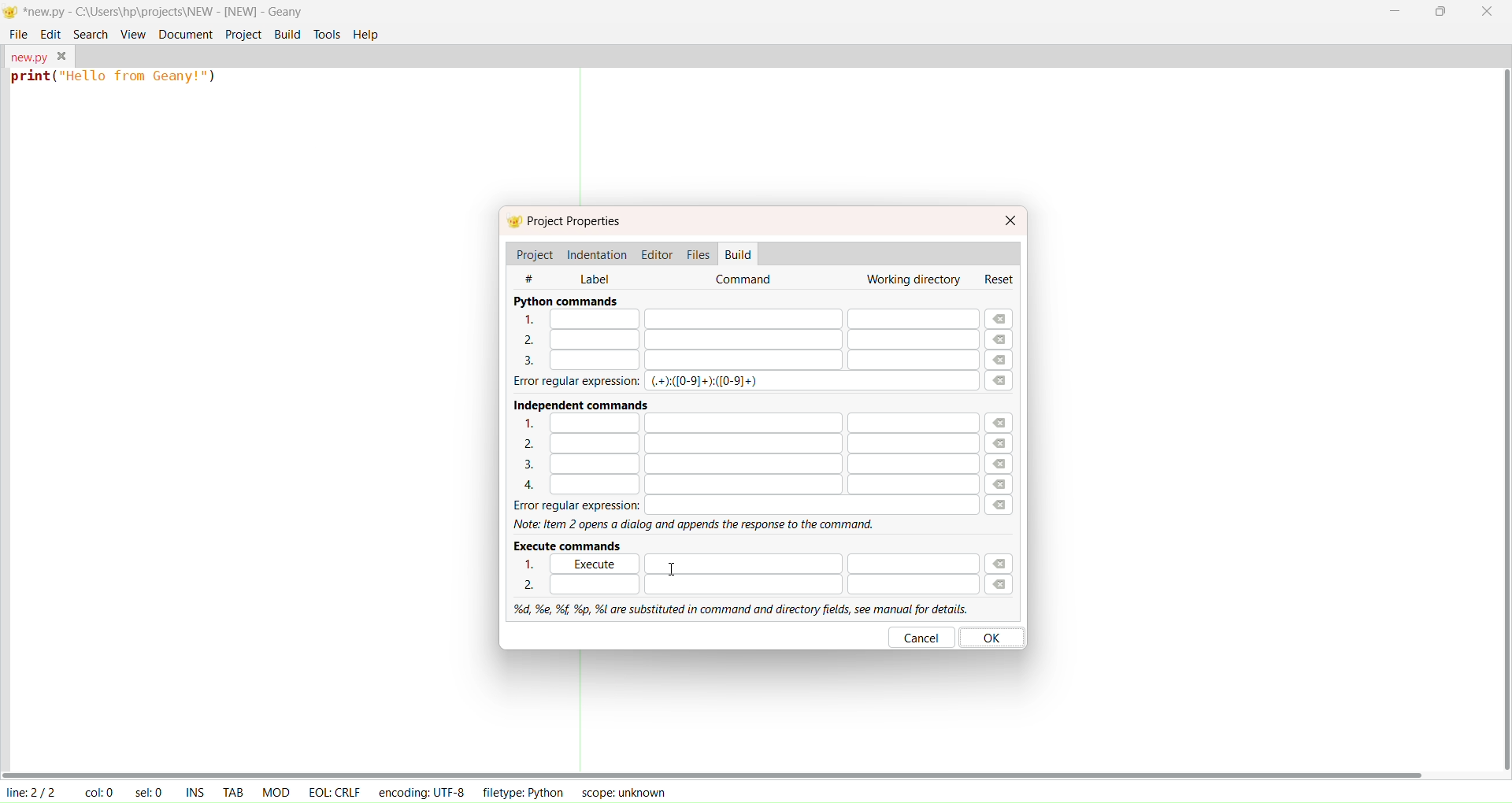 The image size is (1512, 803). I want to click on files, so click(698, 253).